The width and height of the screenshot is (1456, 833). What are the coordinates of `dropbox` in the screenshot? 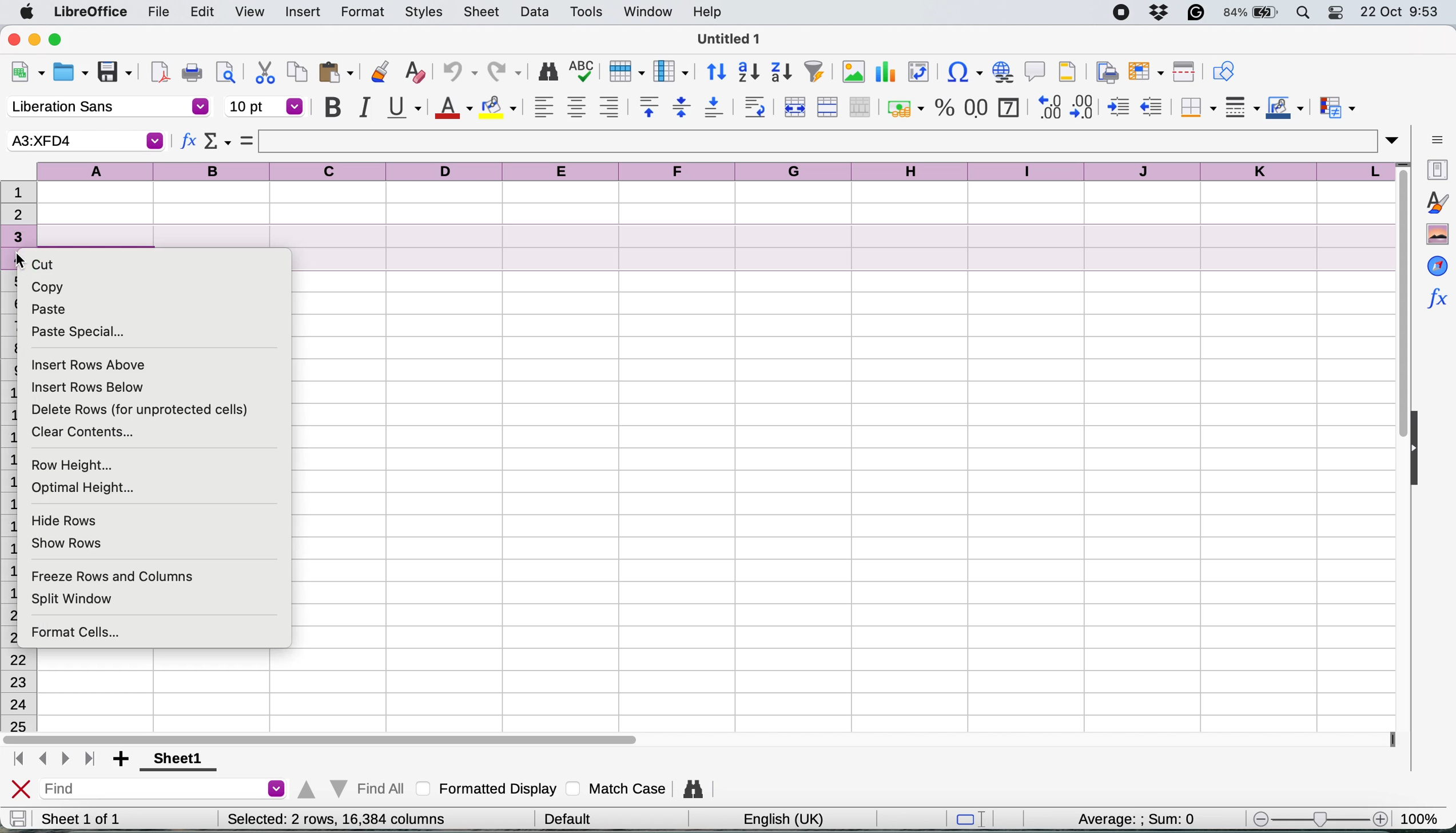 It's located at (1163, 12).